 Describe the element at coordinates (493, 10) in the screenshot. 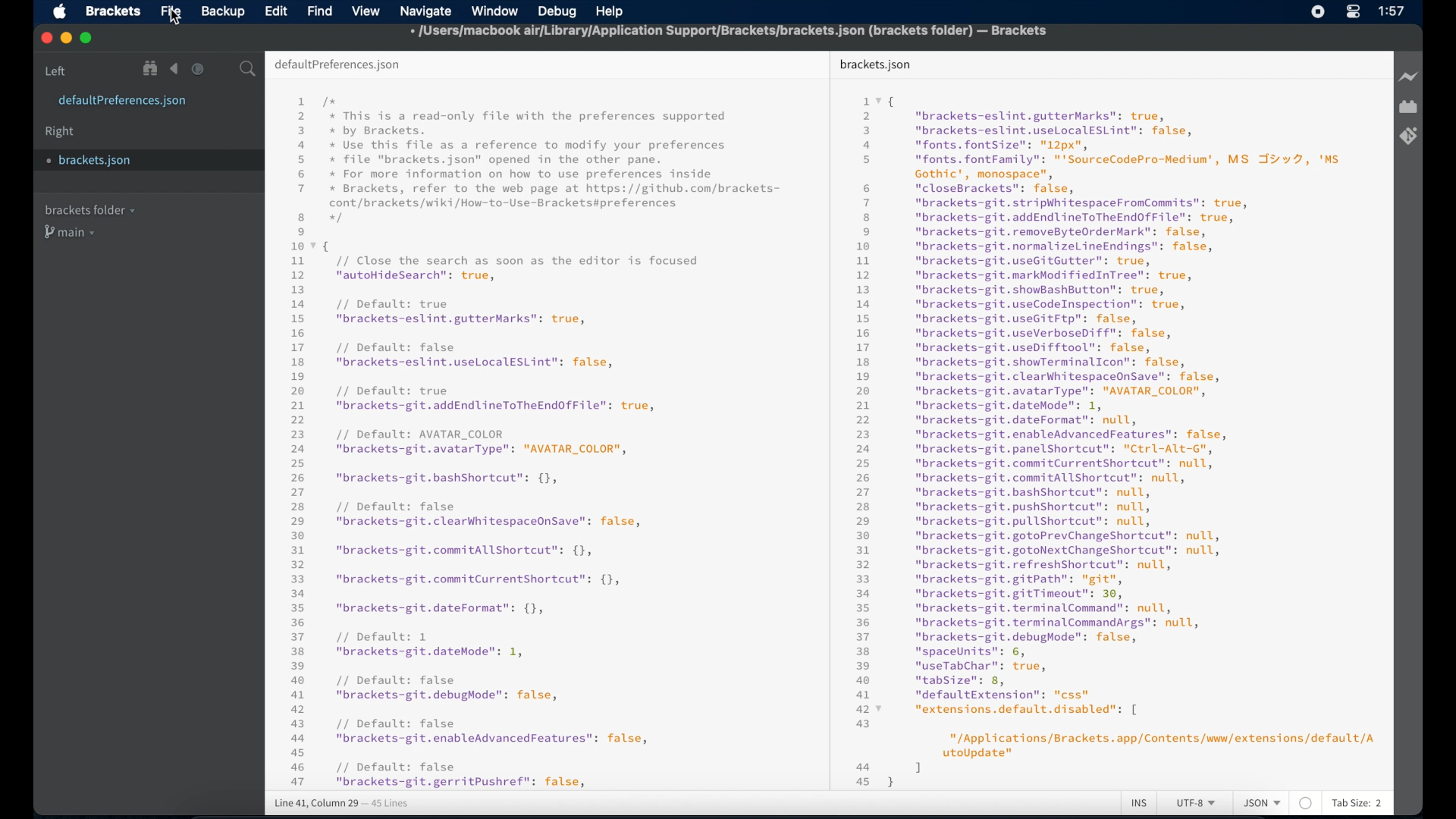

I see `window` at that location.